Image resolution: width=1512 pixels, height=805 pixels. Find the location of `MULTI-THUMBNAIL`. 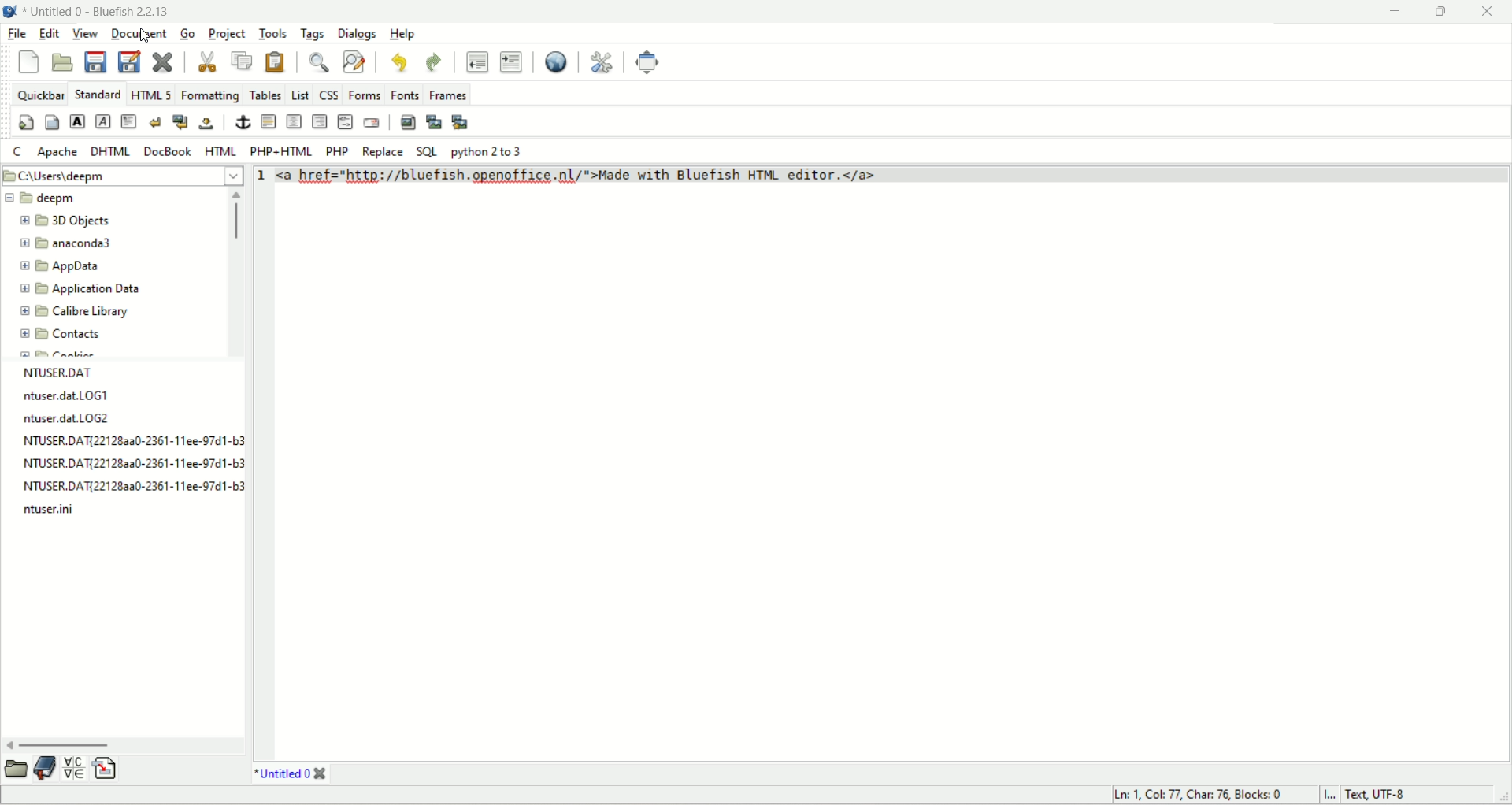

MULTI-THUMBNAIL is located at coordinates (459, 122).